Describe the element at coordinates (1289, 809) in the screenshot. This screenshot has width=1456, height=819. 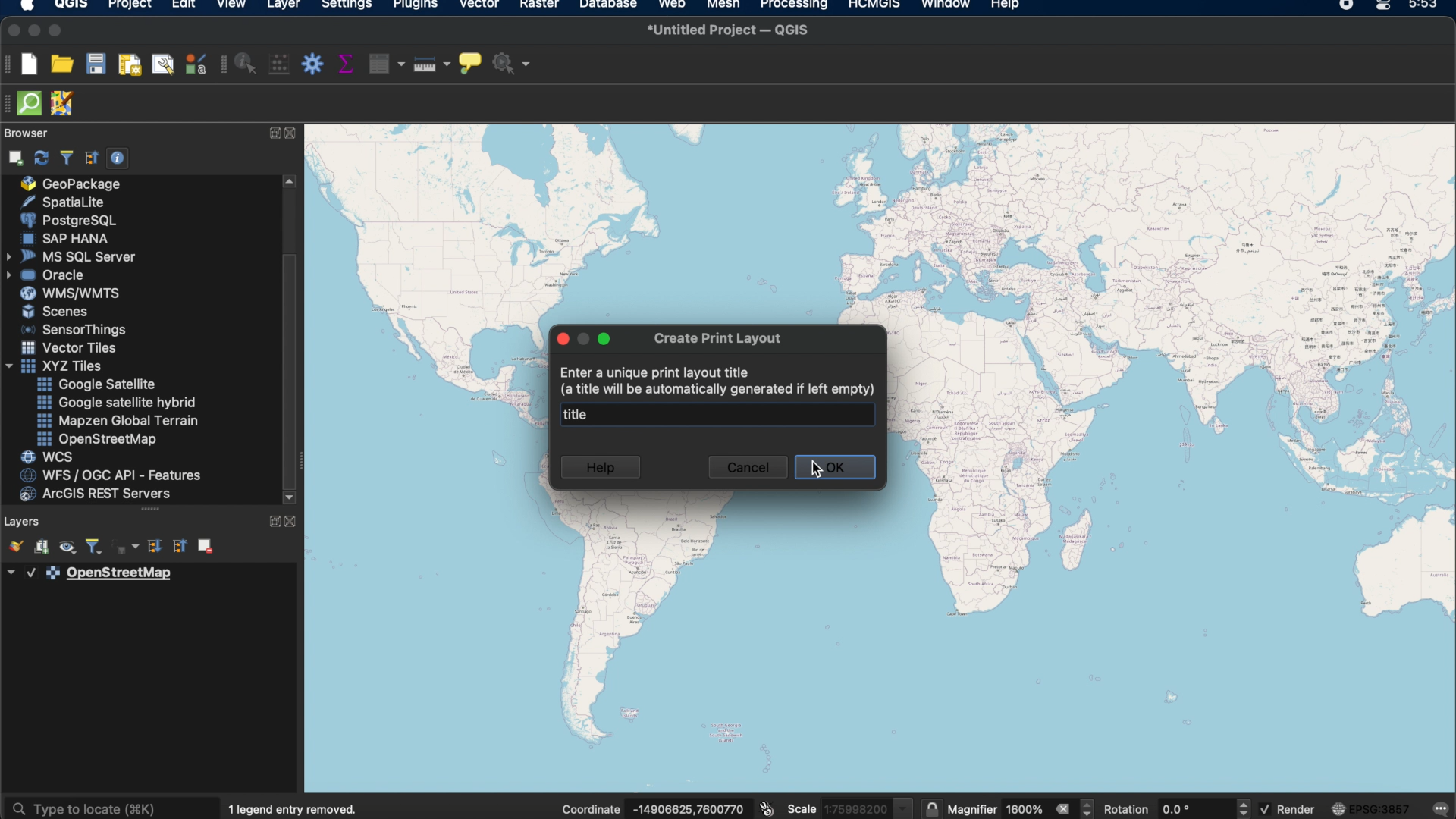
I see `render` at that location.